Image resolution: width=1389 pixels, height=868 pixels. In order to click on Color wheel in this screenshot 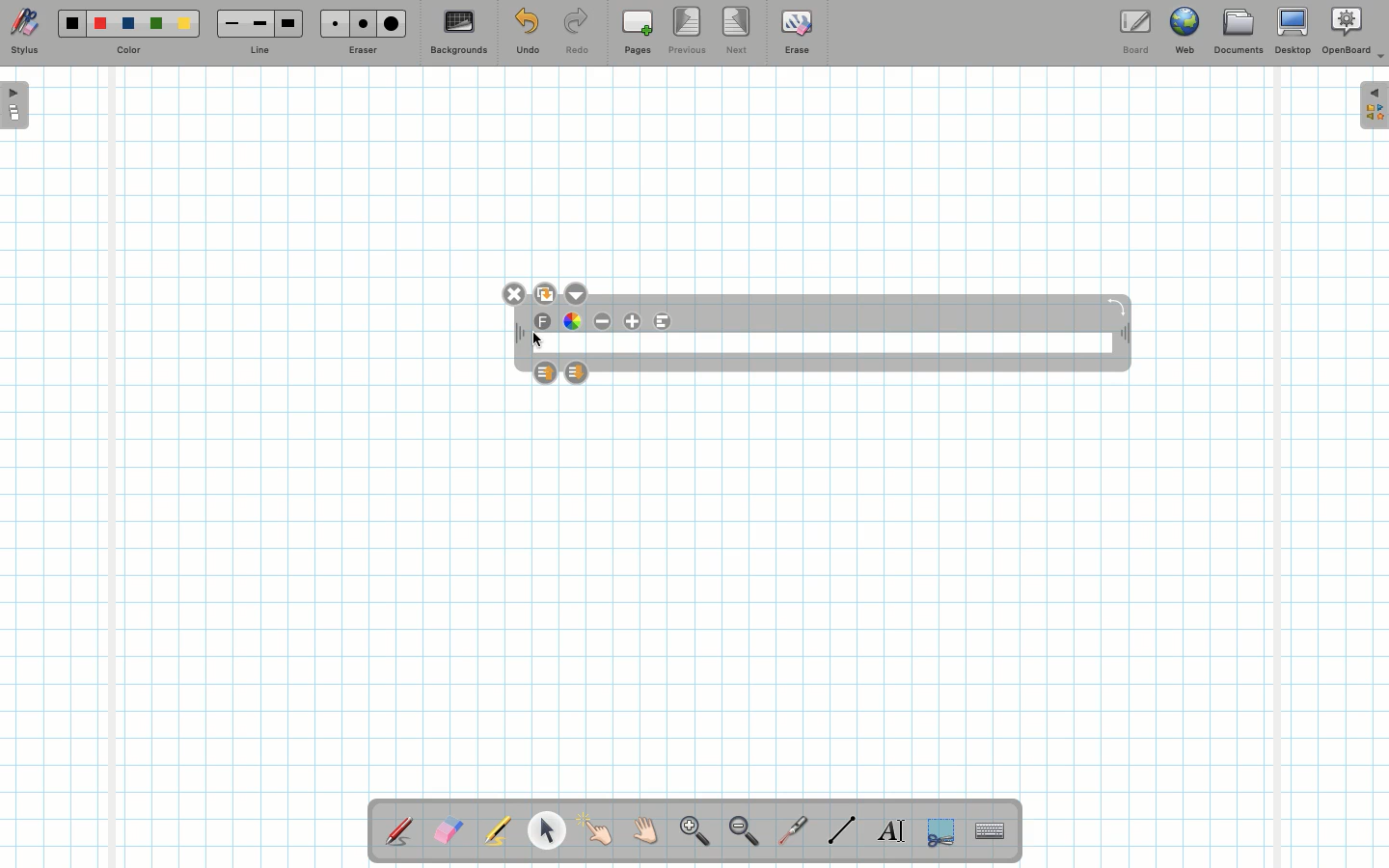, I will do `click(572, 320)`.